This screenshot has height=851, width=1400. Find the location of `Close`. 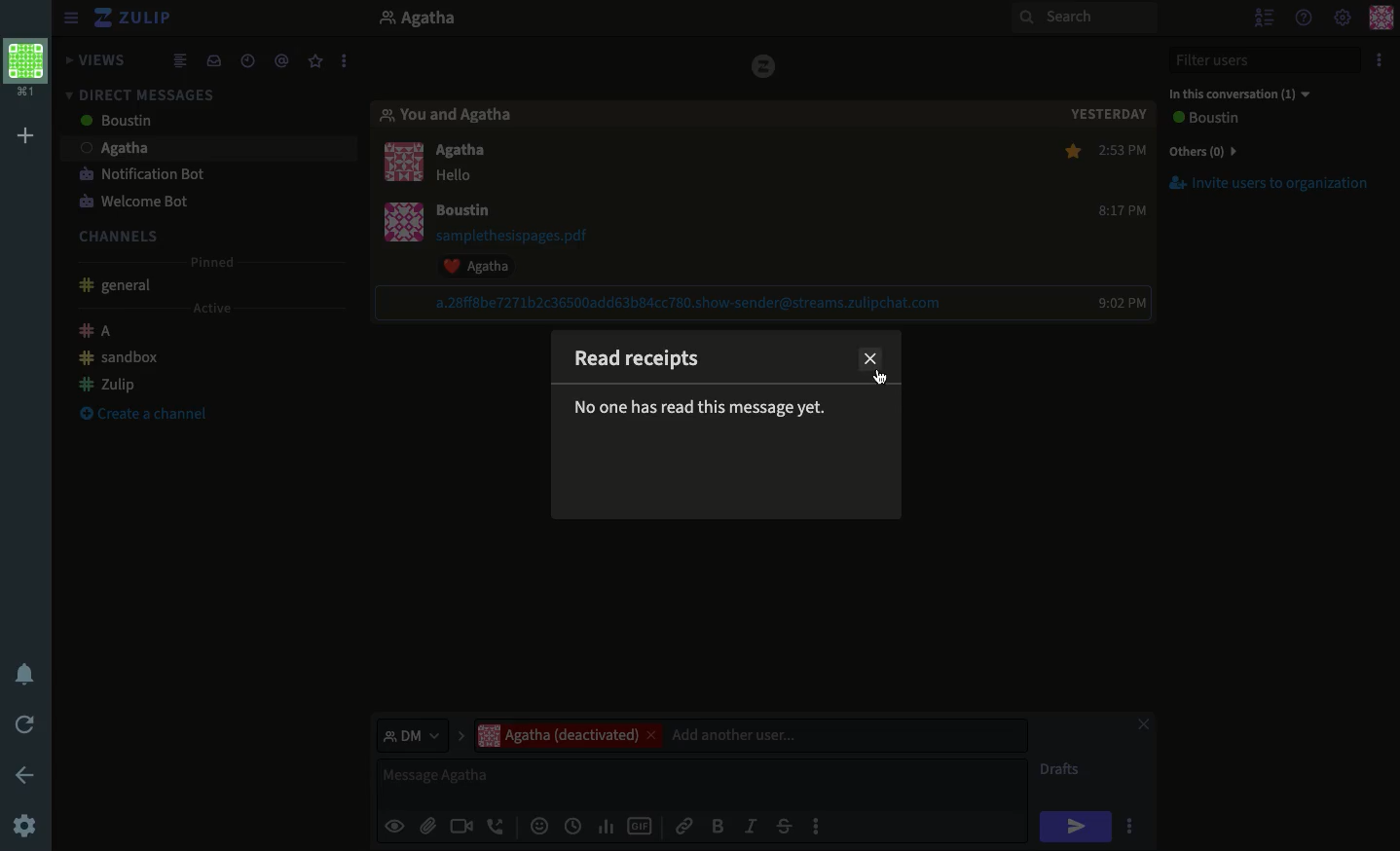

Close is located at coordinates (872, 358).